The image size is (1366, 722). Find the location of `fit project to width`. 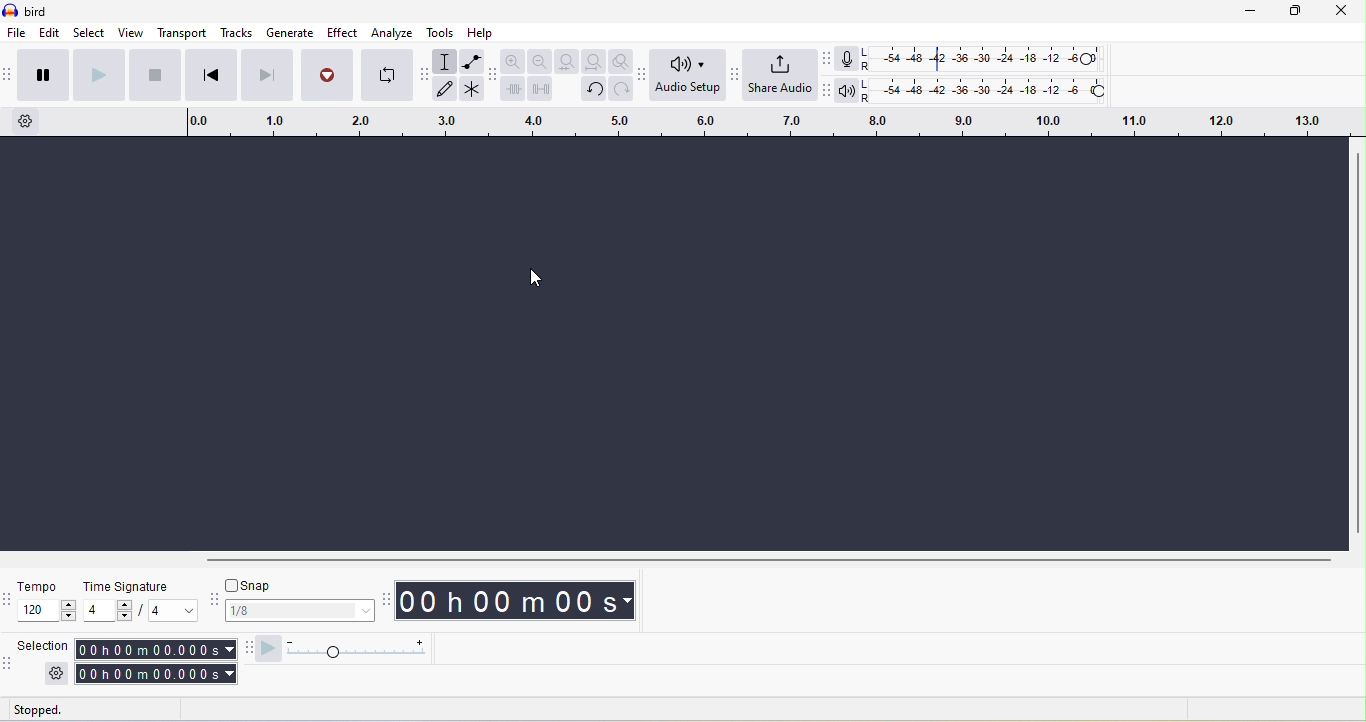

fit project to width is located at coordinates (595, 61).